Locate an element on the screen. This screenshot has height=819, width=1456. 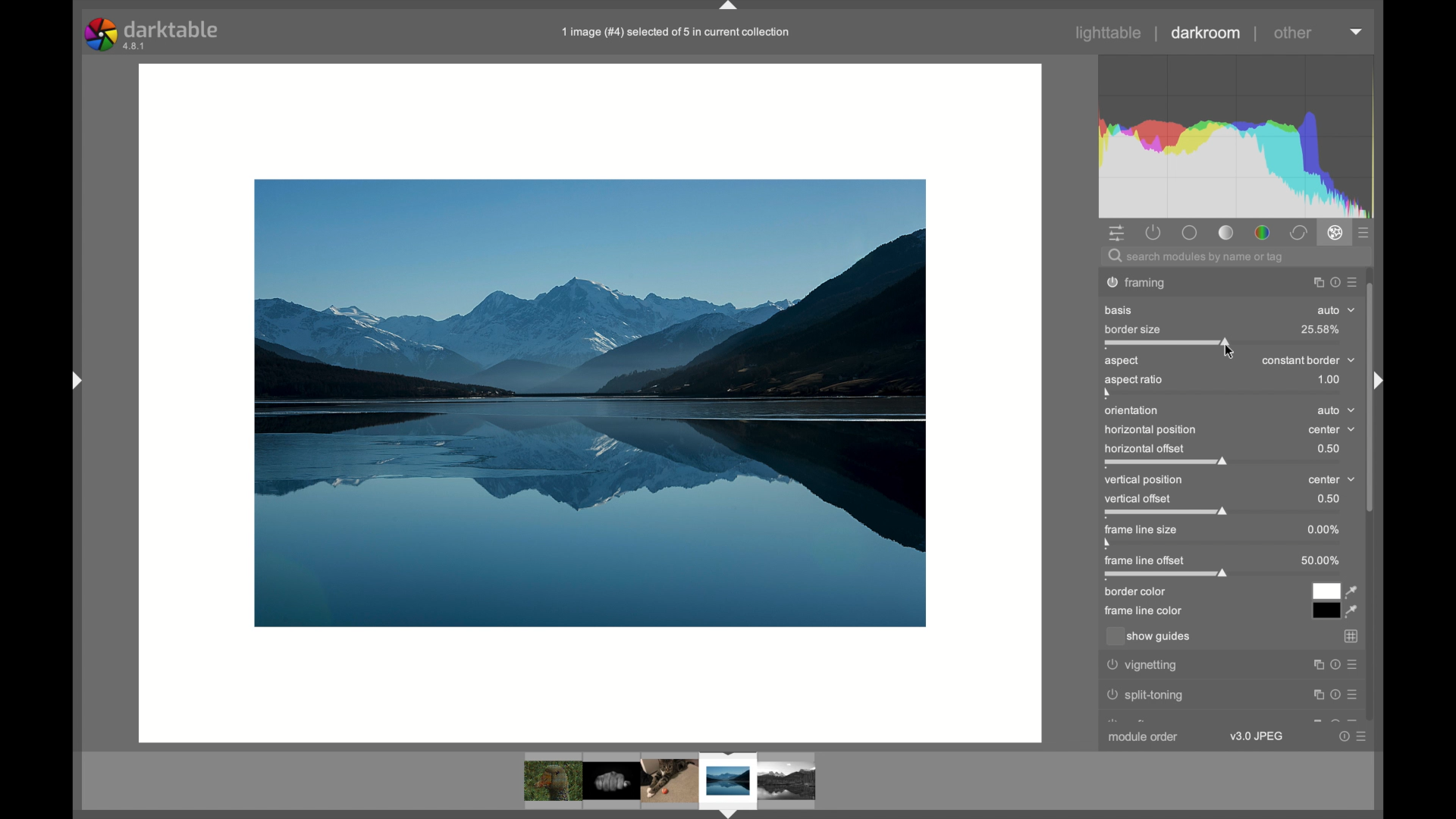
vignetting is located at coordinates (1141, 667).